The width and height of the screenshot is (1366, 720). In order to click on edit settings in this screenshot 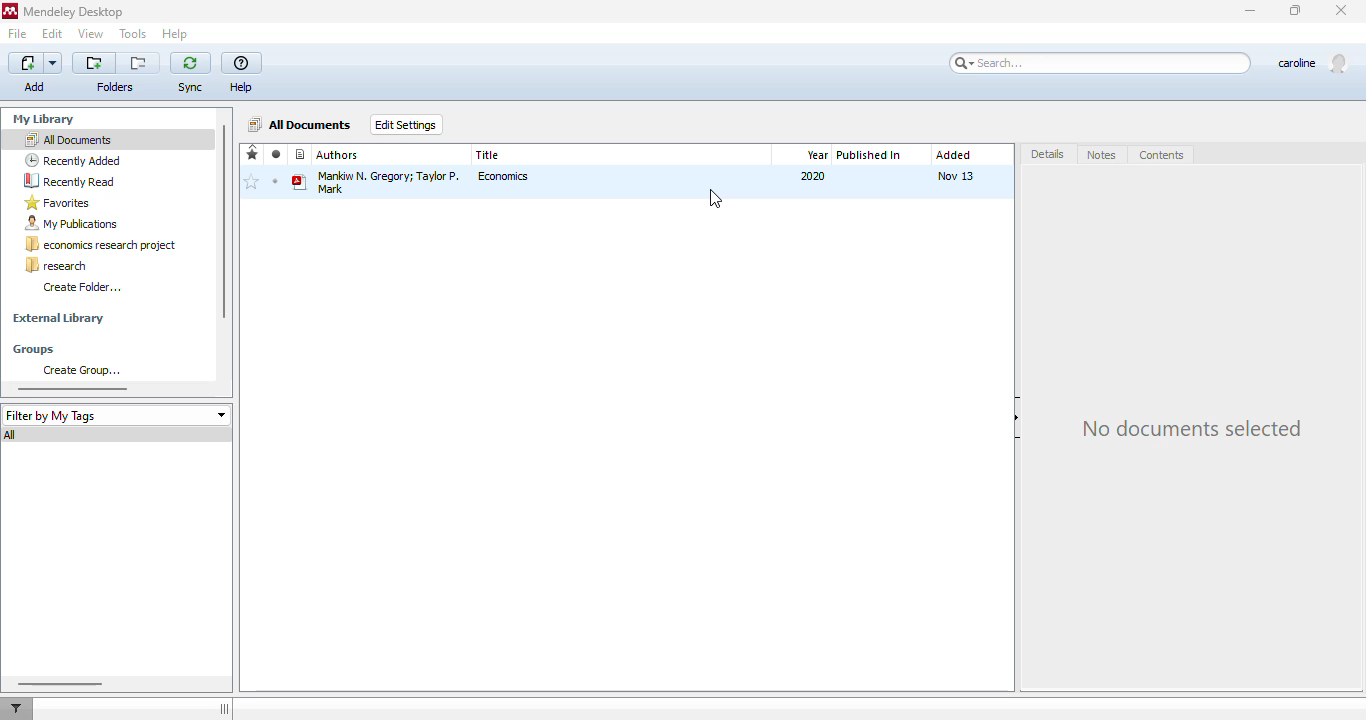, I will do `click(406, 124)`.